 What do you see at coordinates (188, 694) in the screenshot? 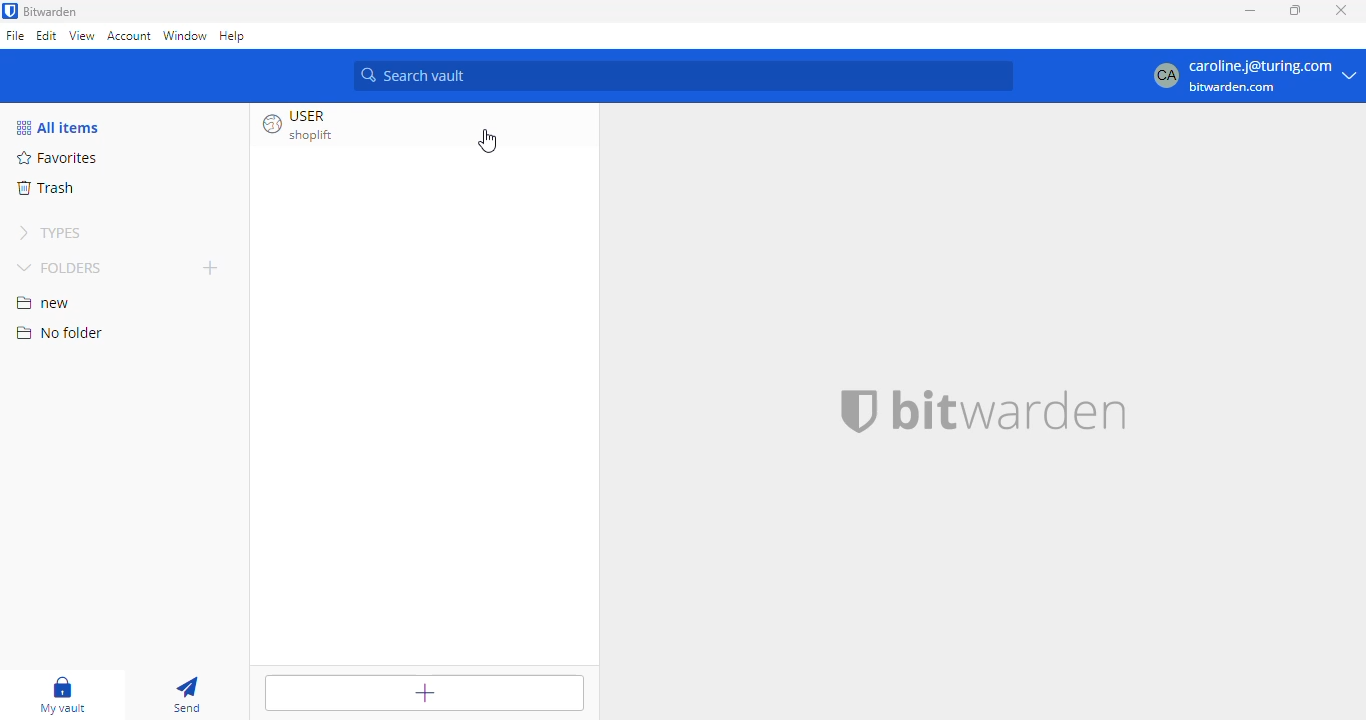
I see `send` at bounding box center [188, 694].